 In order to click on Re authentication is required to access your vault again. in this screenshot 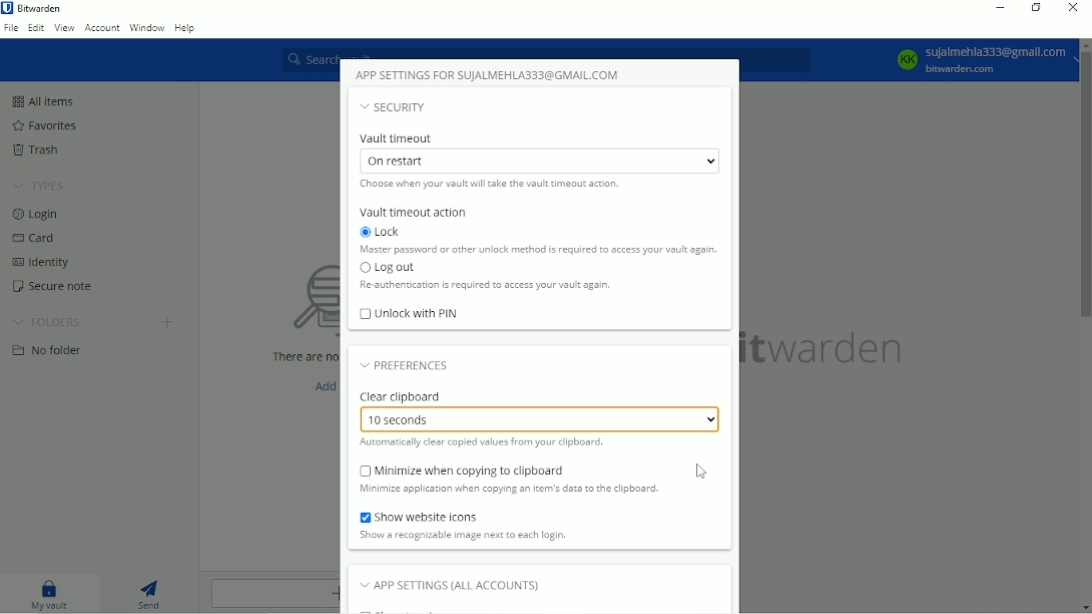, I will do `click(485, 287)`.